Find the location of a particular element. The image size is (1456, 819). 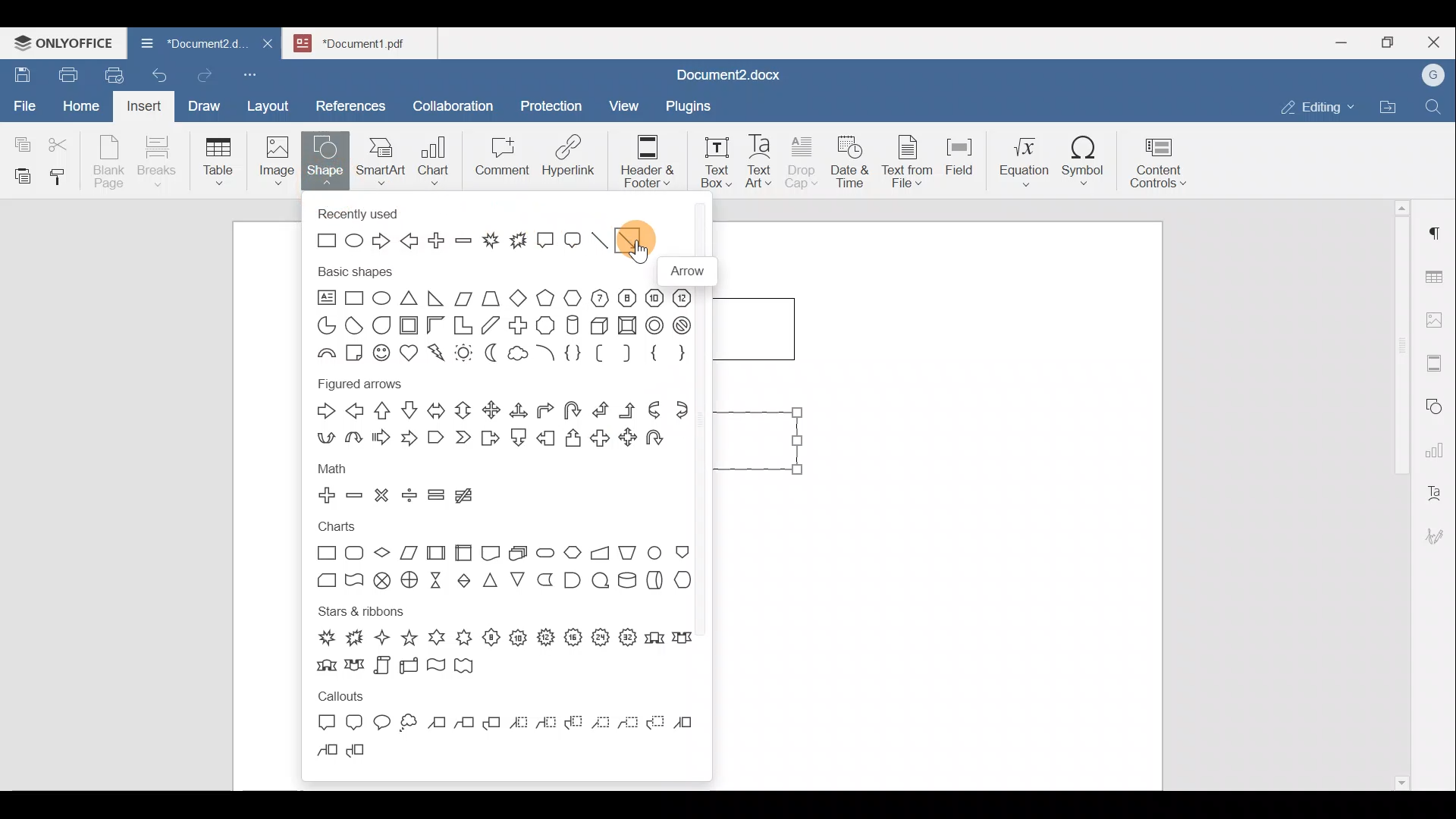

File is located at coordinates (26, 101).